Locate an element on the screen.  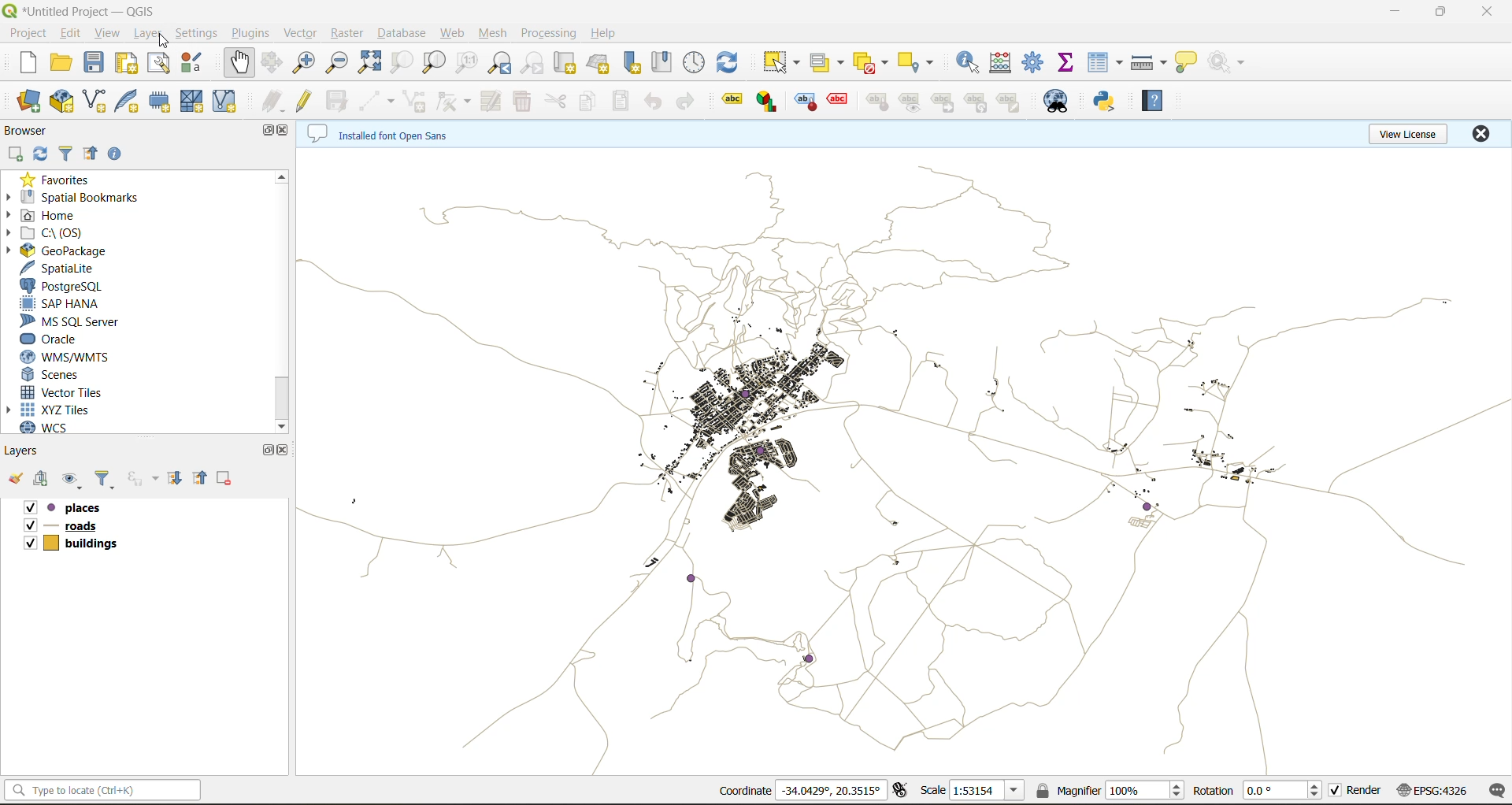
layers is located at coordinates (28, 454).